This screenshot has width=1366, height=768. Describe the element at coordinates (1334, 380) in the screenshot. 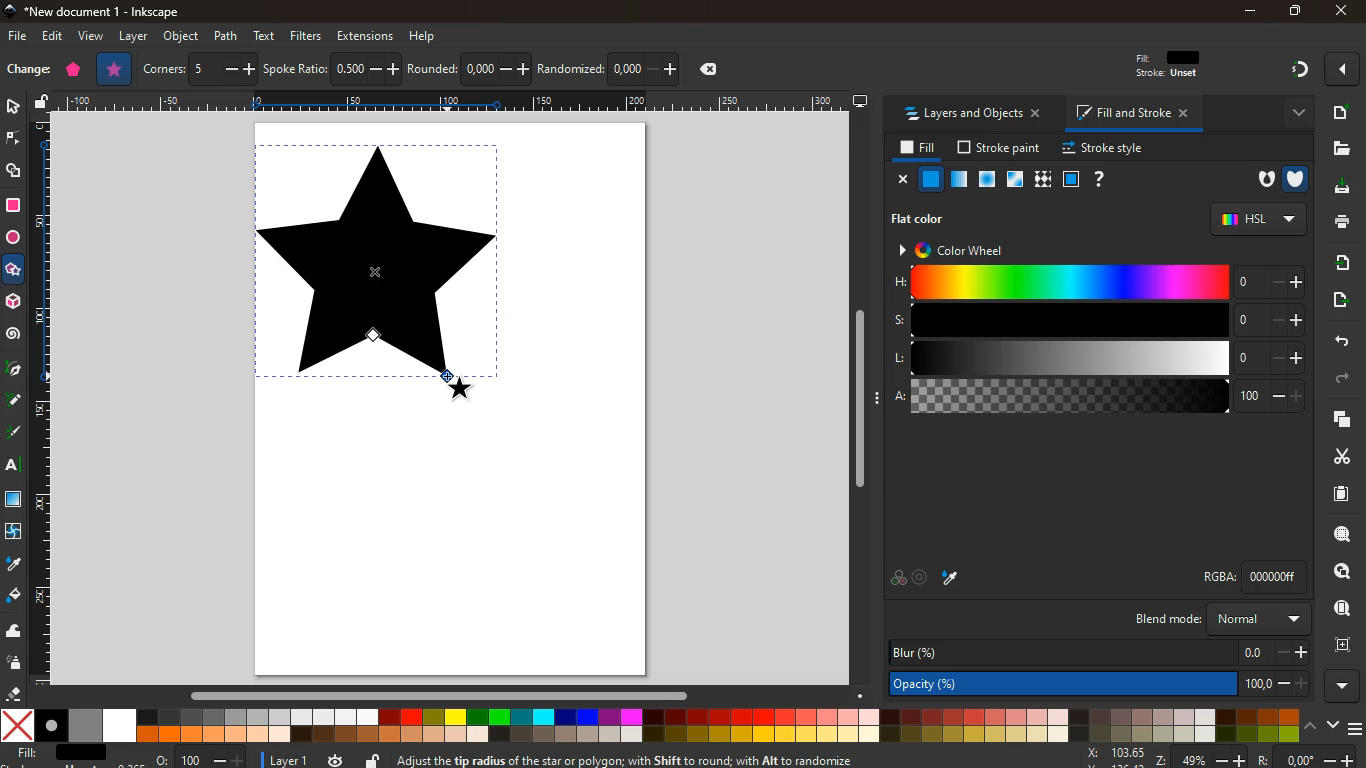

I see `forward` at that location.